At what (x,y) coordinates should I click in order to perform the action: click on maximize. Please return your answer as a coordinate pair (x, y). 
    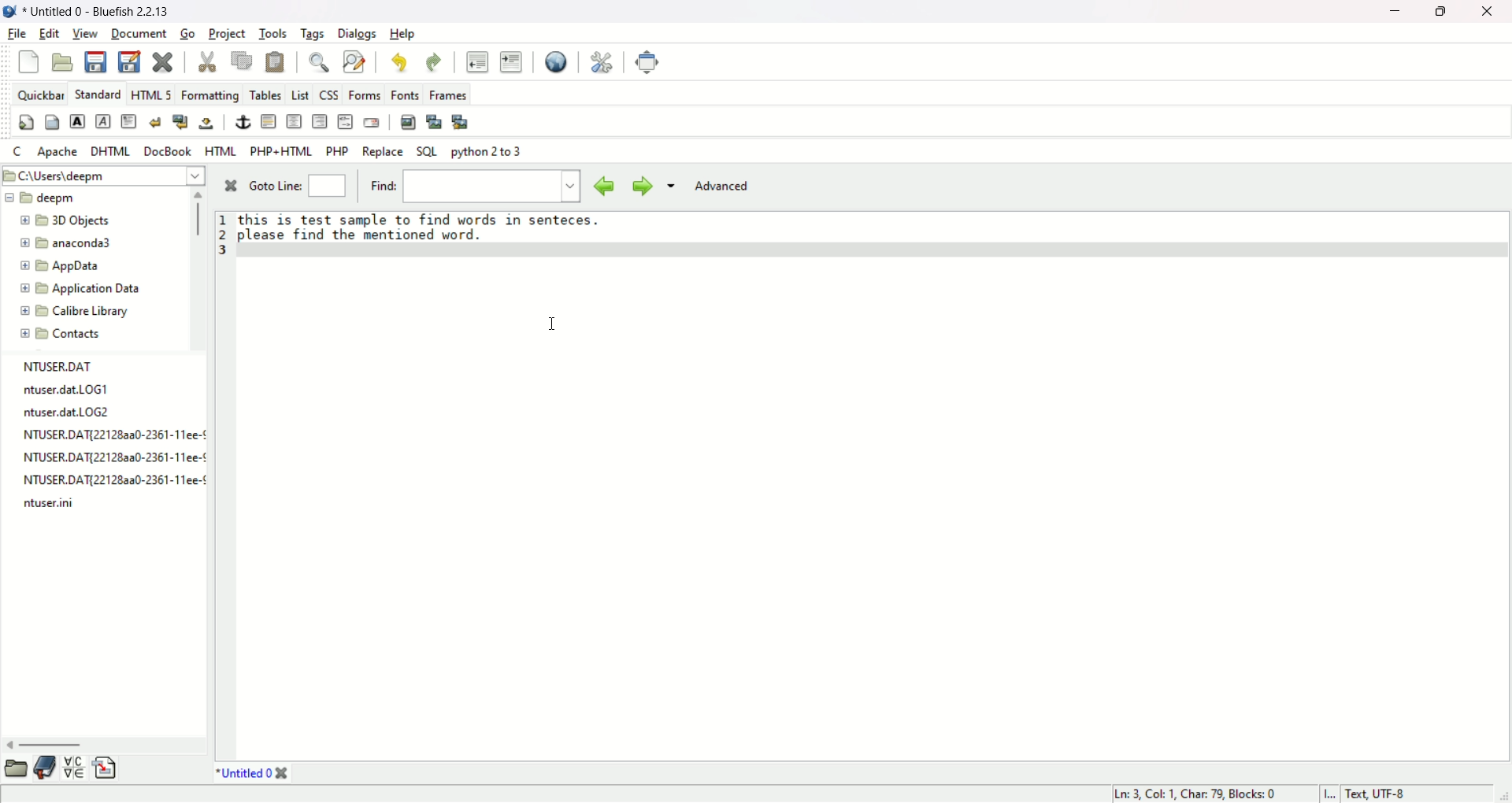
    Looking at the image, I should click on (1442, 13).